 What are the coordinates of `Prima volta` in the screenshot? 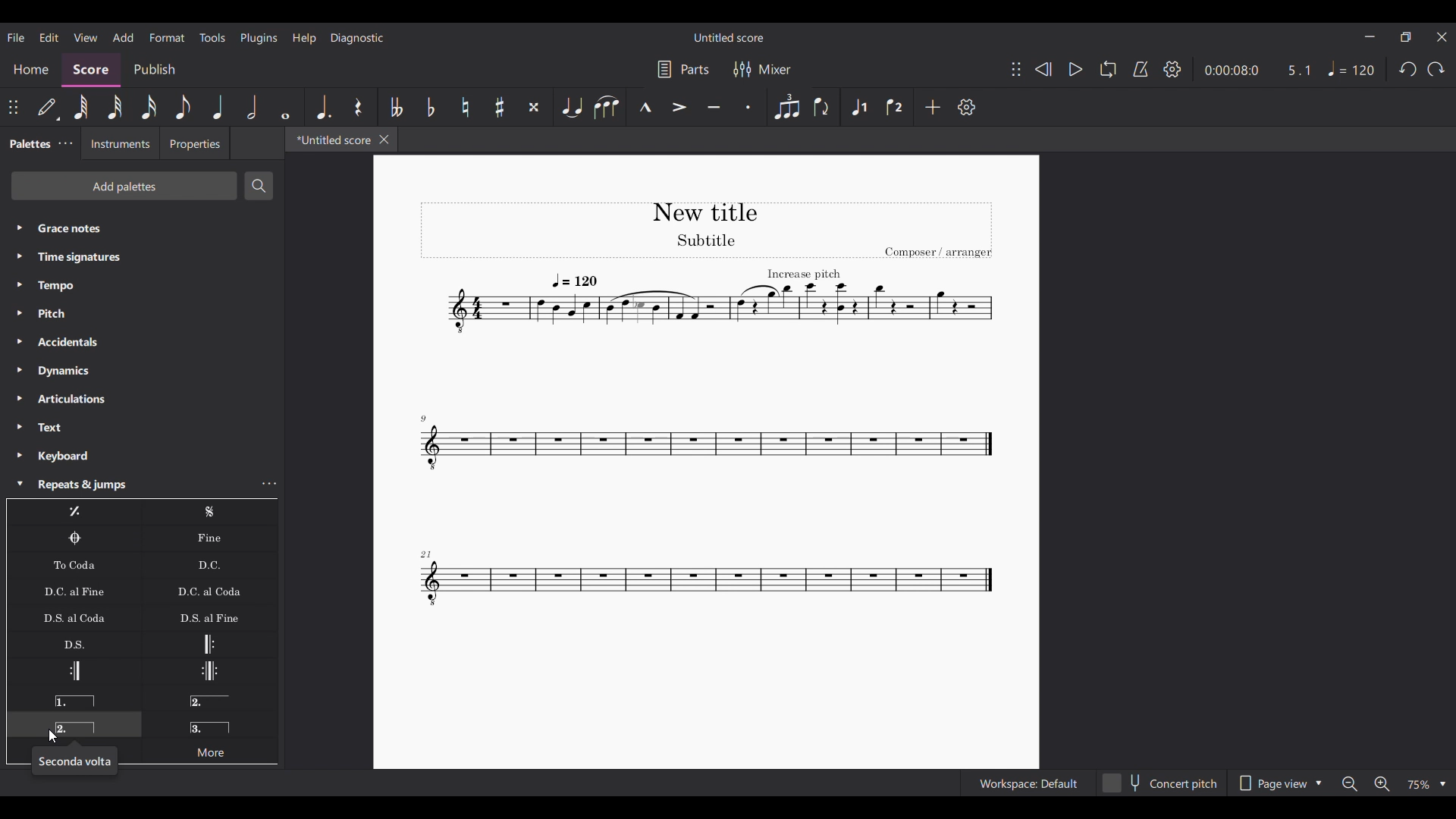 It's located at (74, 698).